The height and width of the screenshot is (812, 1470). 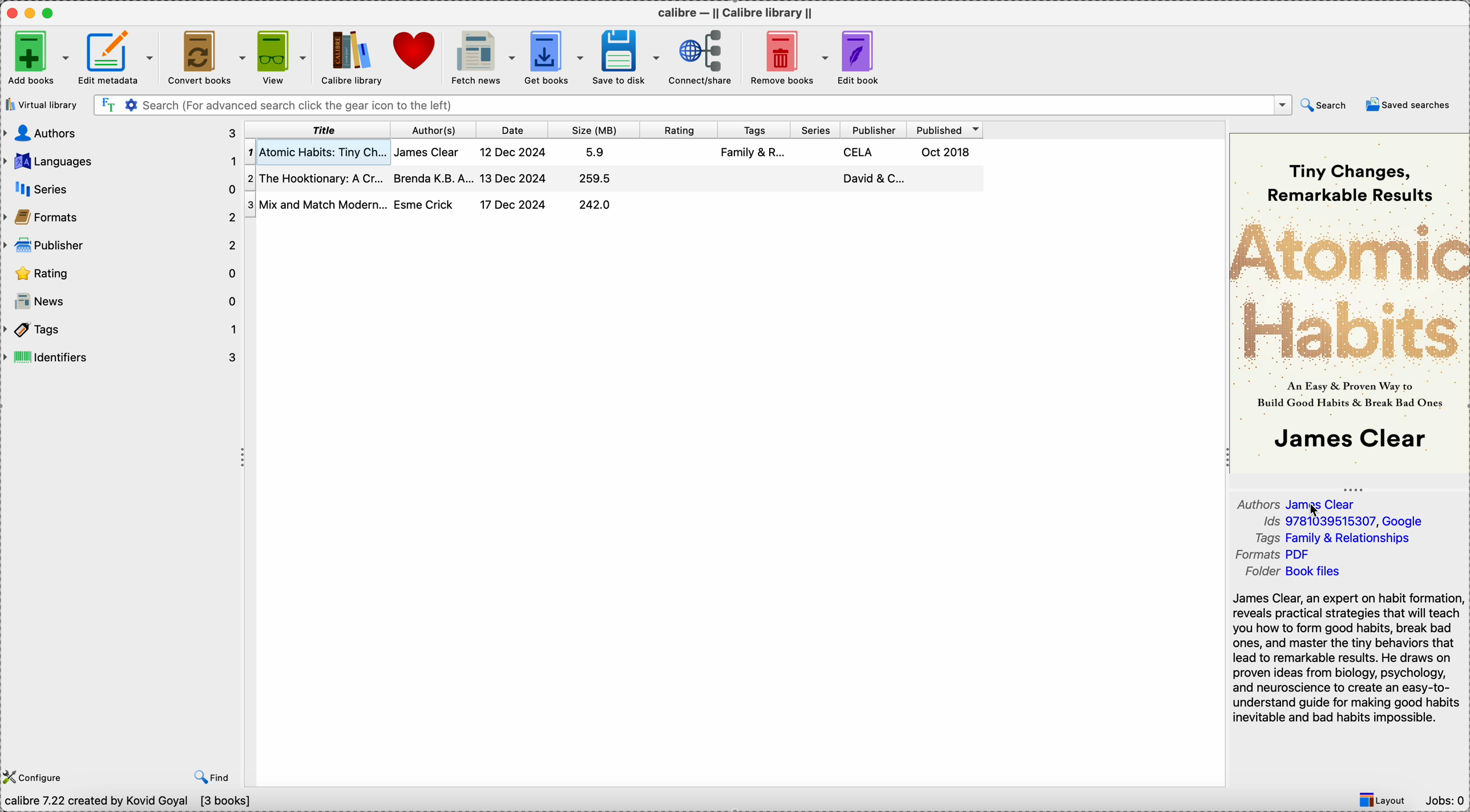 I want to click on remove books, so click(x=785, y=58).